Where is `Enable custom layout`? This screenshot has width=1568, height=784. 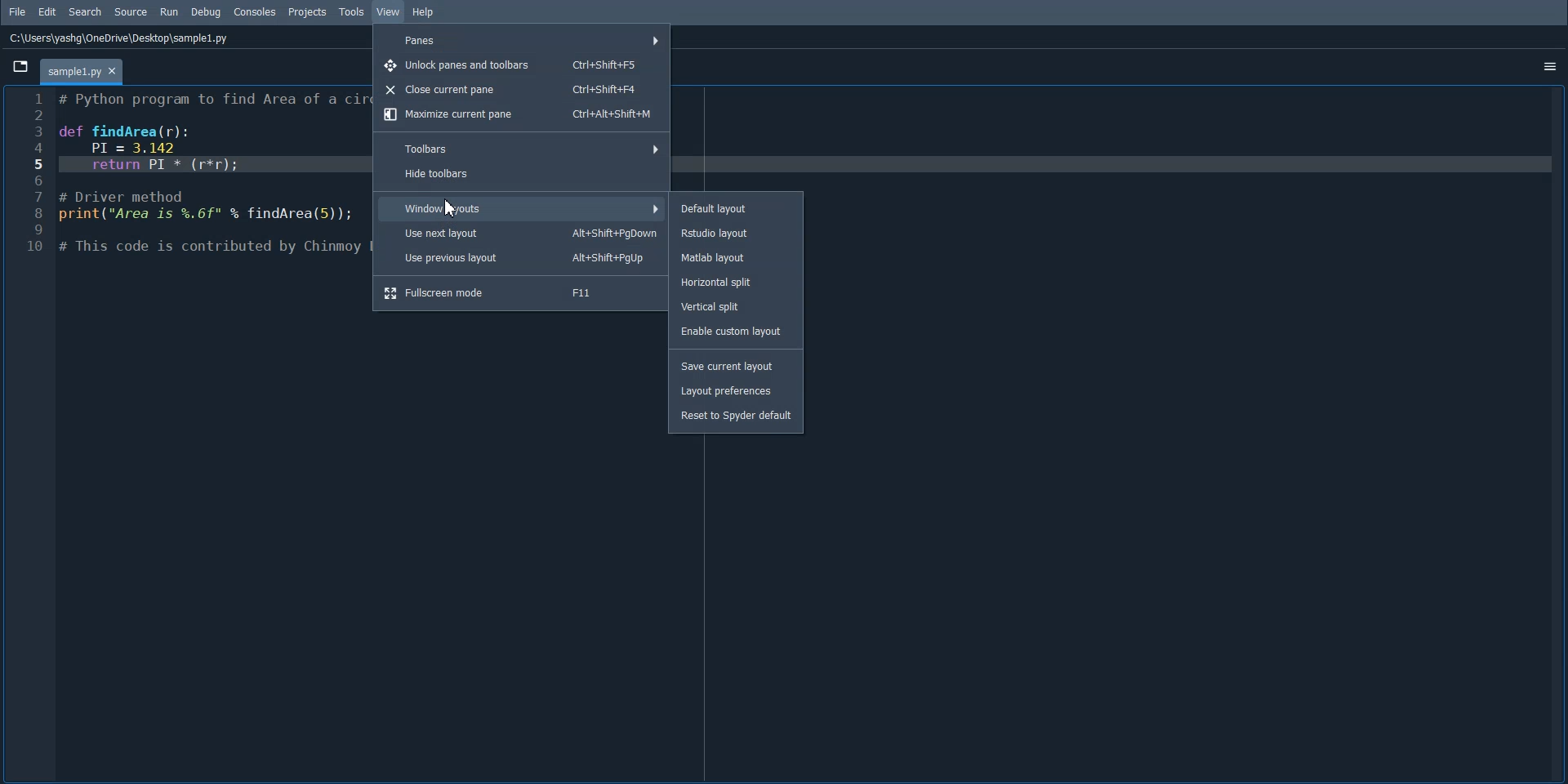
Enable custom layout is located at coordinates (733, 329).